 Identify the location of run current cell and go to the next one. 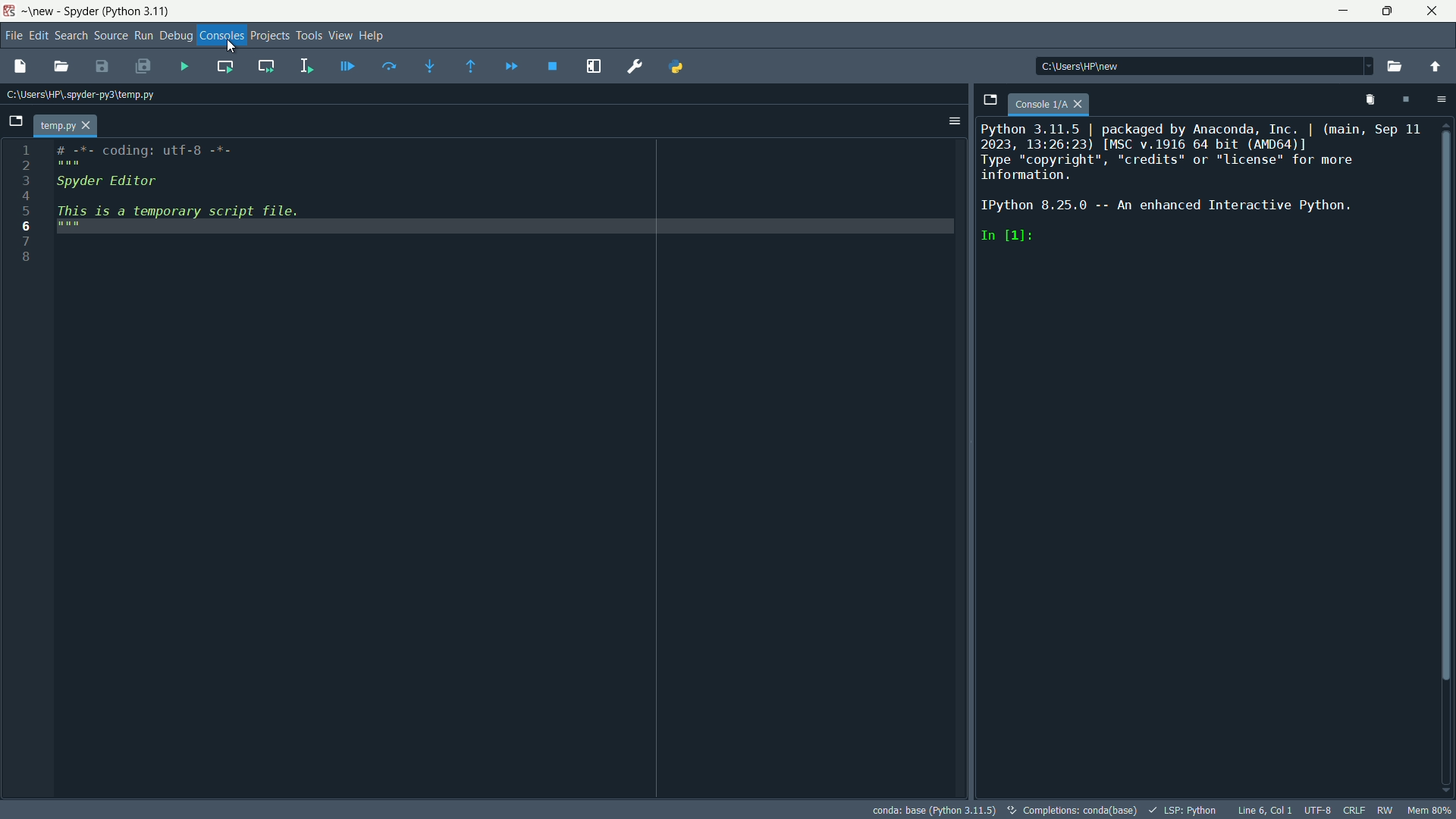
(265, 66).